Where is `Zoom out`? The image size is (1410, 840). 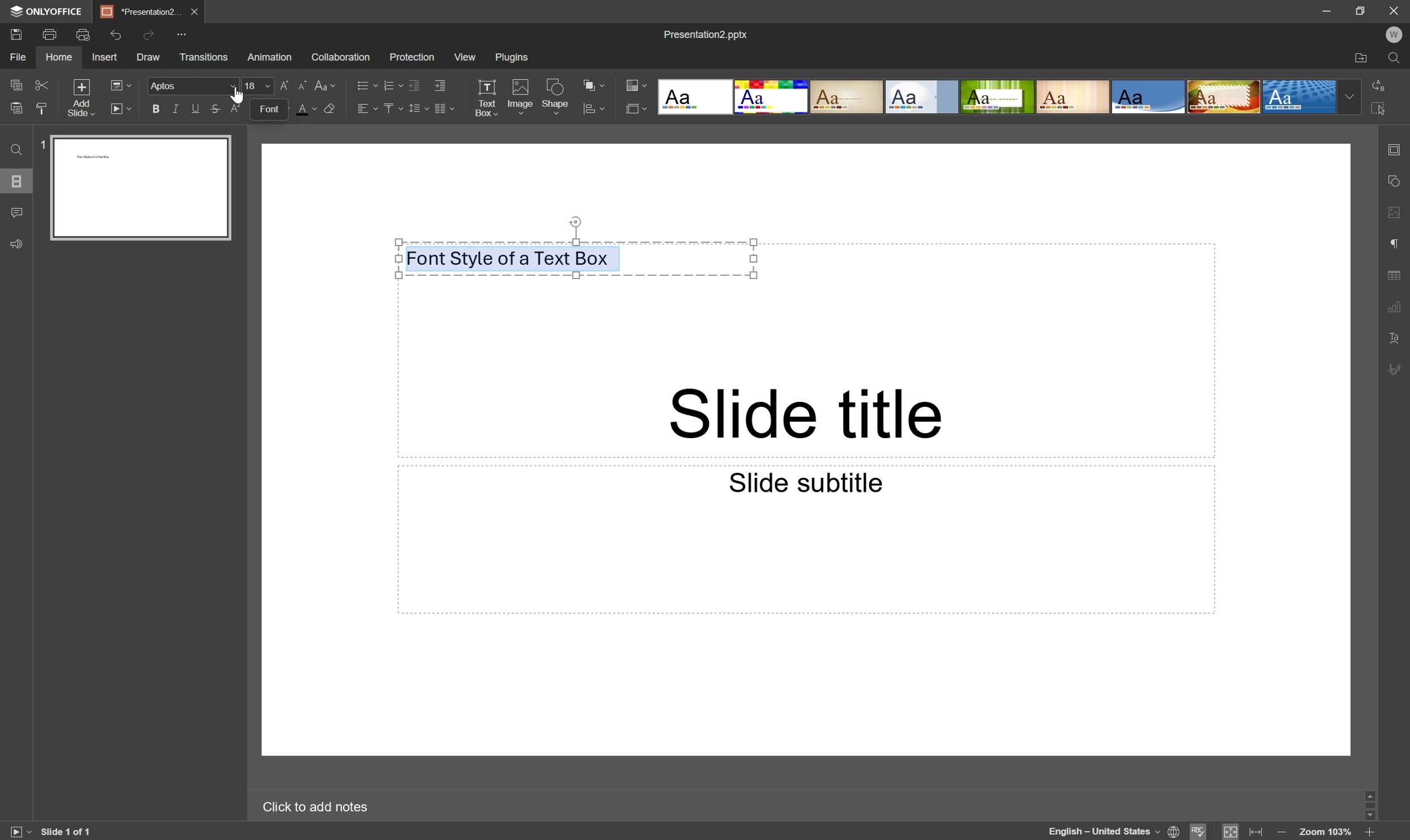 Zoom out is located at coordinates (1280, 832).